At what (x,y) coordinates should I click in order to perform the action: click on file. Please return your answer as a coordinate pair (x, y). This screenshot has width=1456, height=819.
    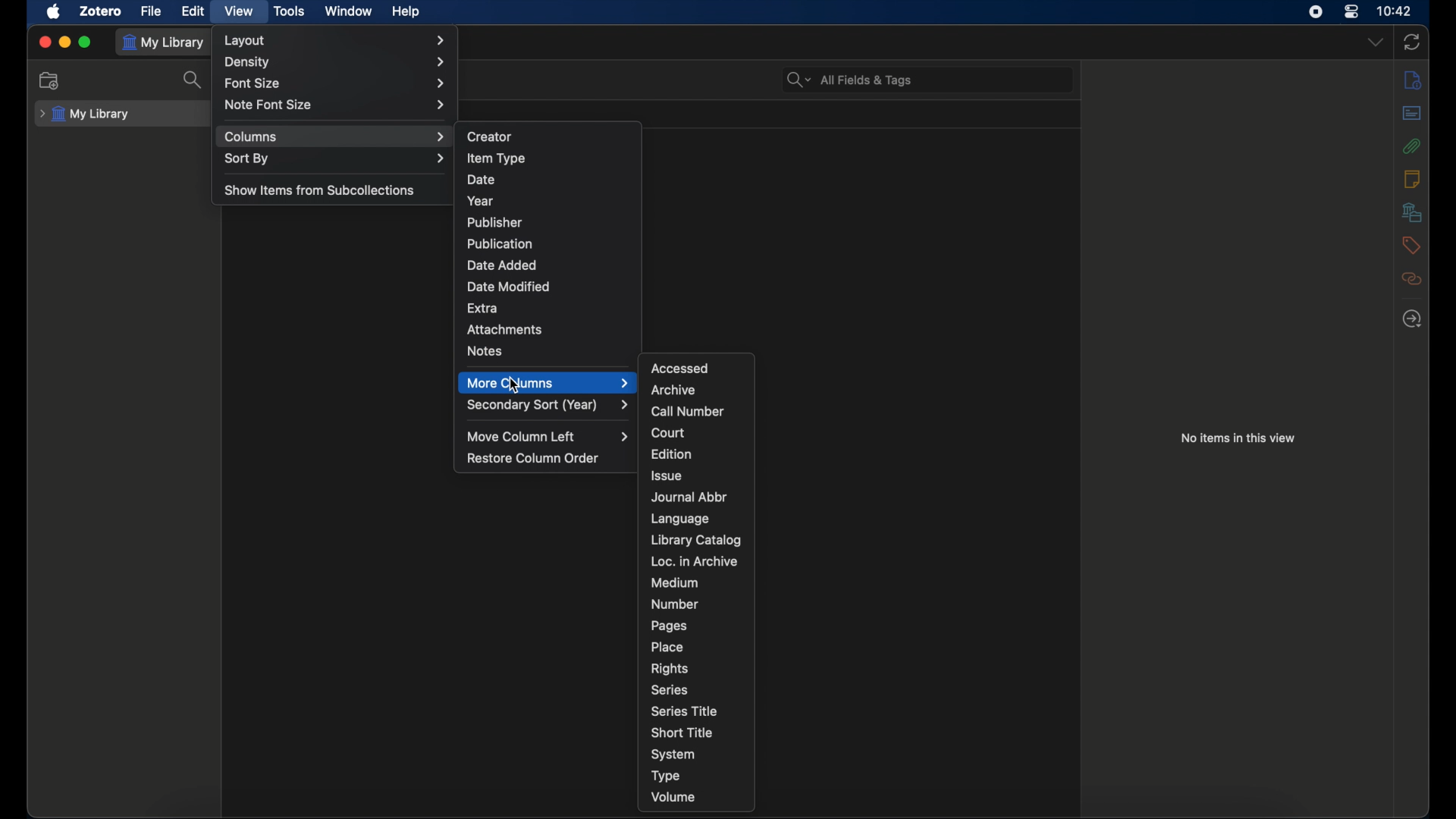
    Looking at the image, I should click on (151, 11).